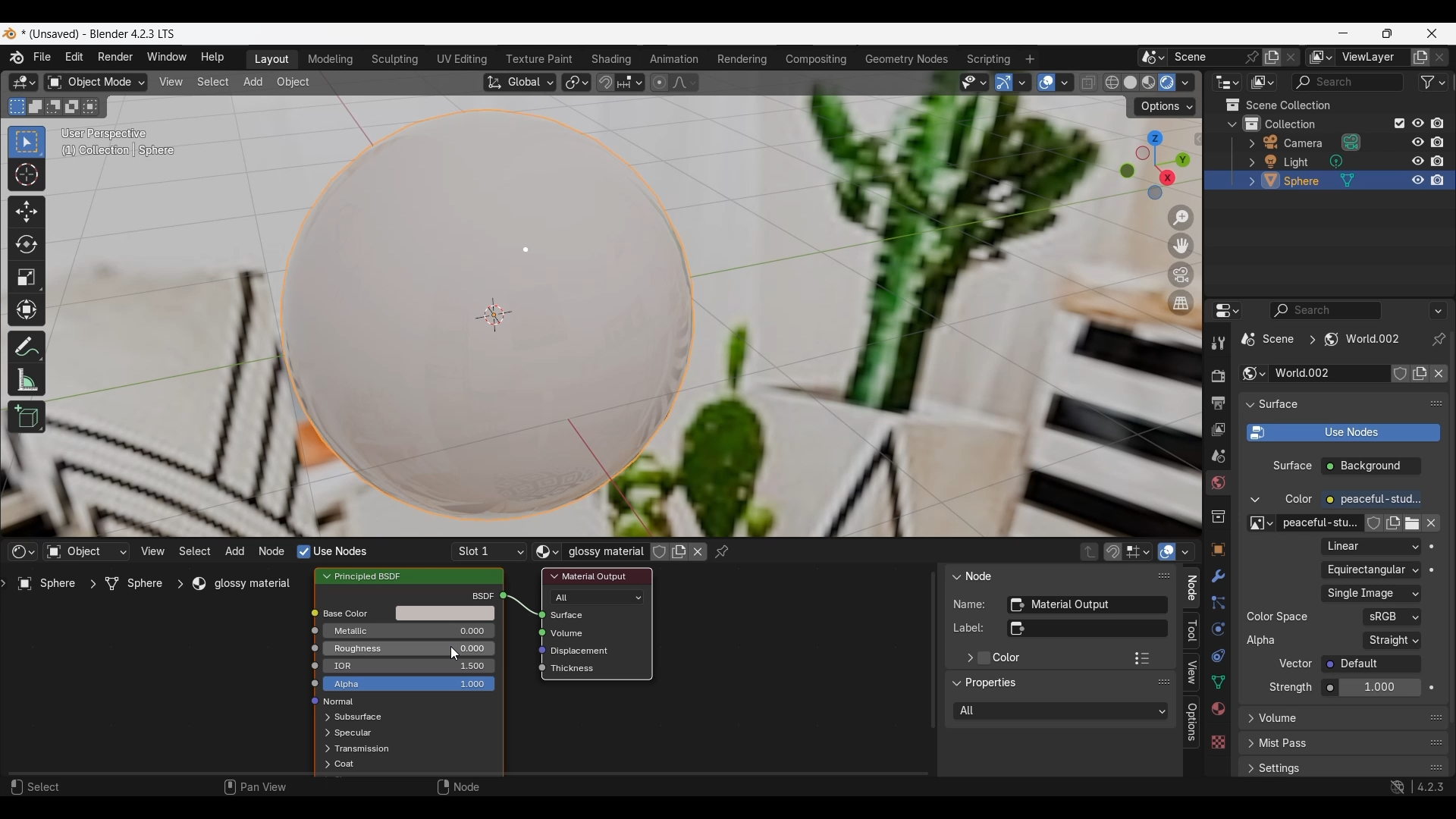 The image size is (1456, 819). I want to click on Snap node during transform, so click(1113, 552).